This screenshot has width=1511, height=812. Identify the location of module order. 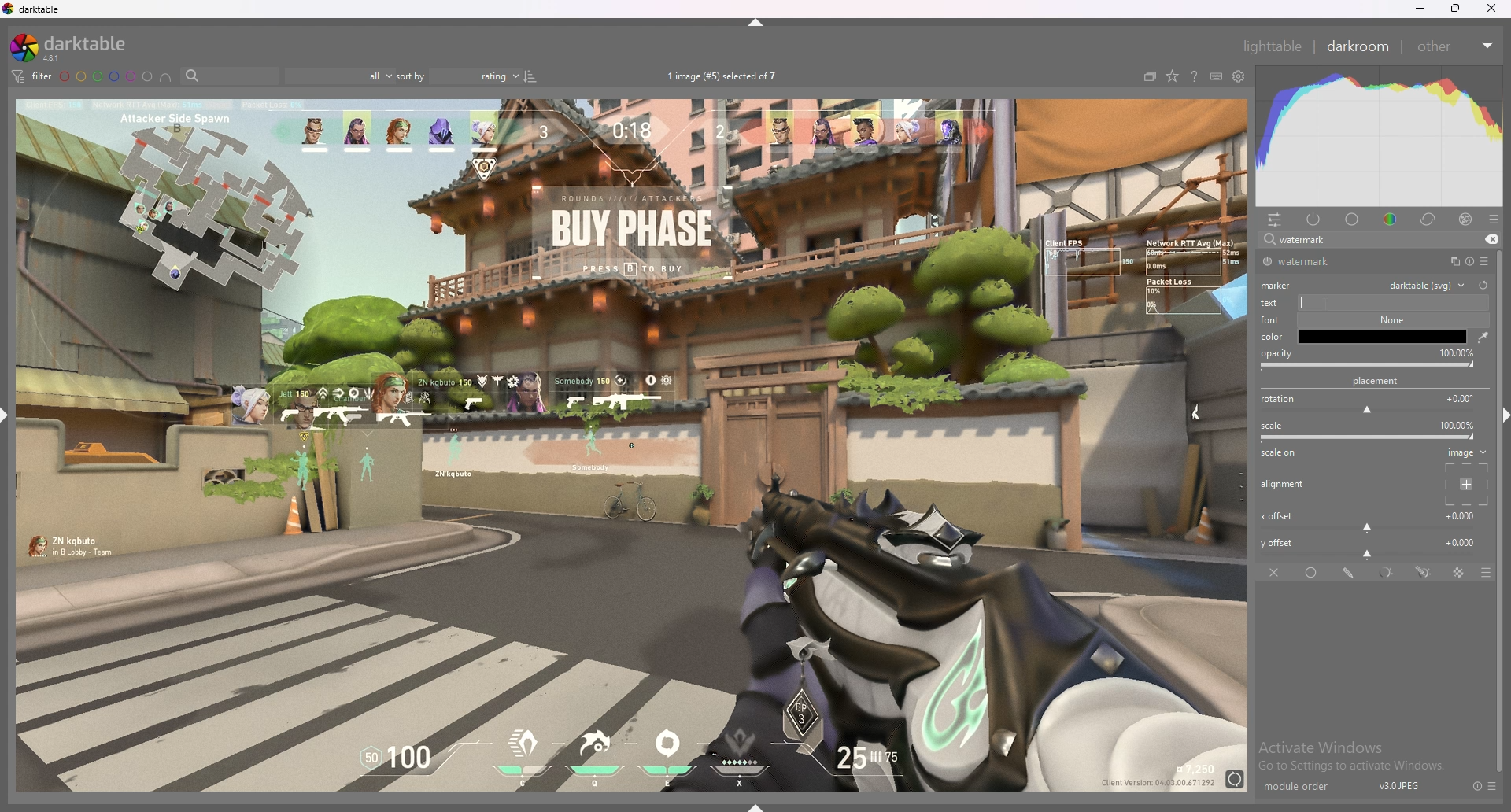
(1304, 787).